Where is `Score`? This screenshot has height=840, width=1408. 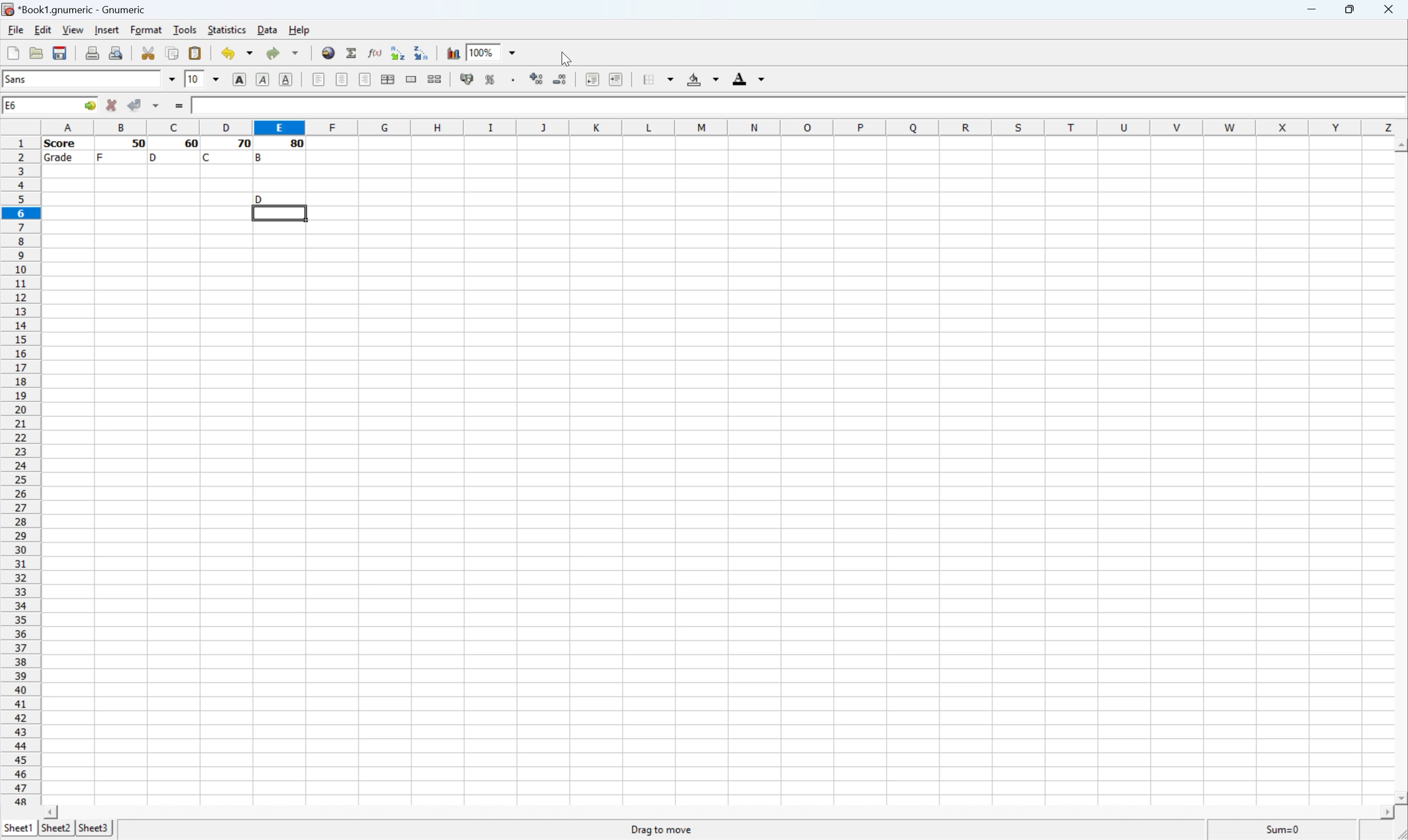 Score is located at coordinates (207, 104).